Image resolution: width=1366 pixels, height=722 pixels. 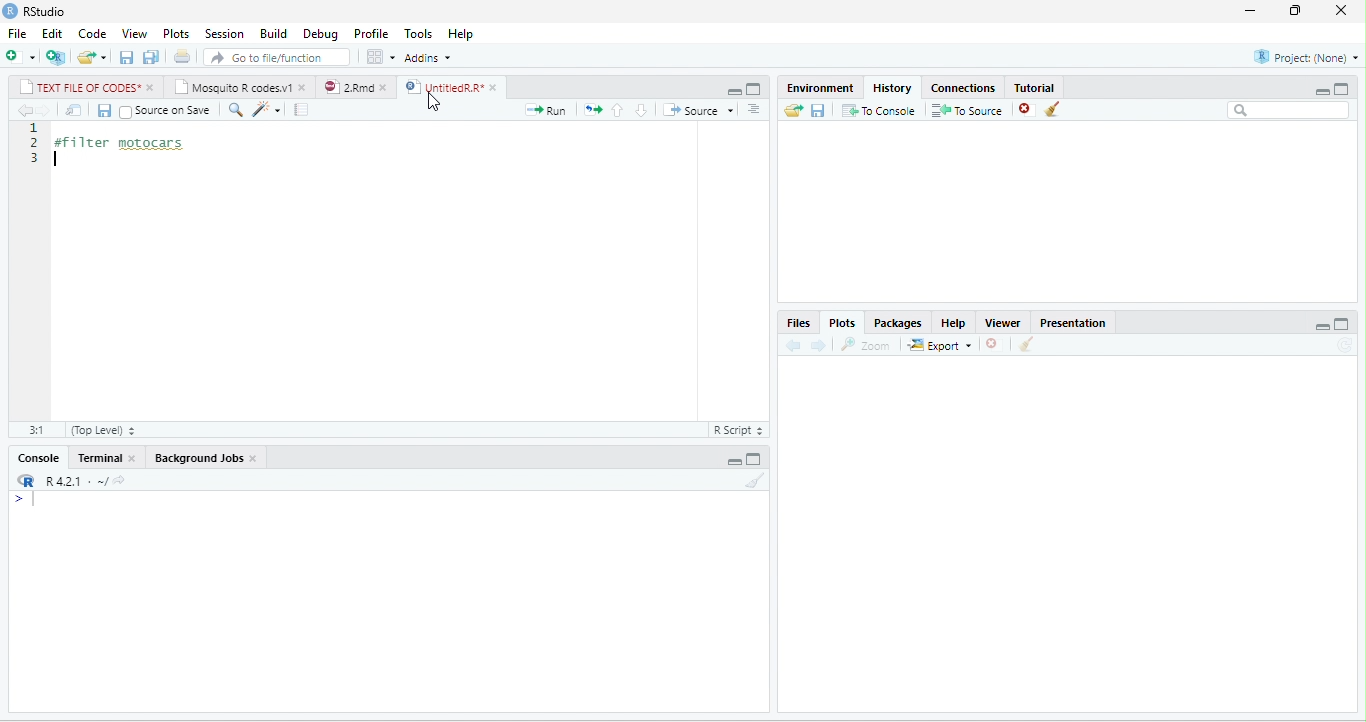 I want to click on close, so click(x=134, y=457).